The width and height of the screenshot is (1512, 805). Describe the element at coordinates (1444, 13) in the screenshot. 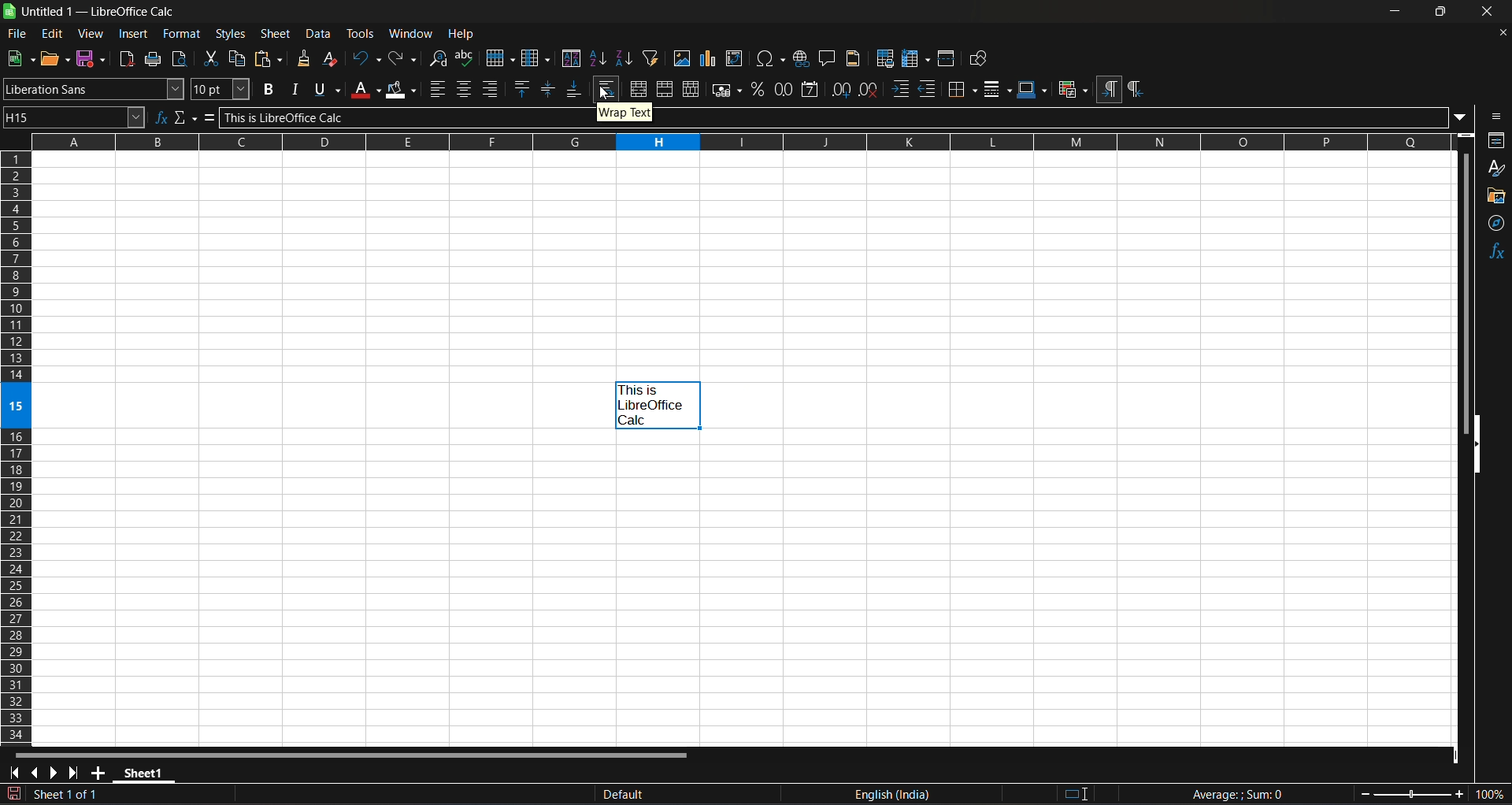

I see `maximize` at that location.